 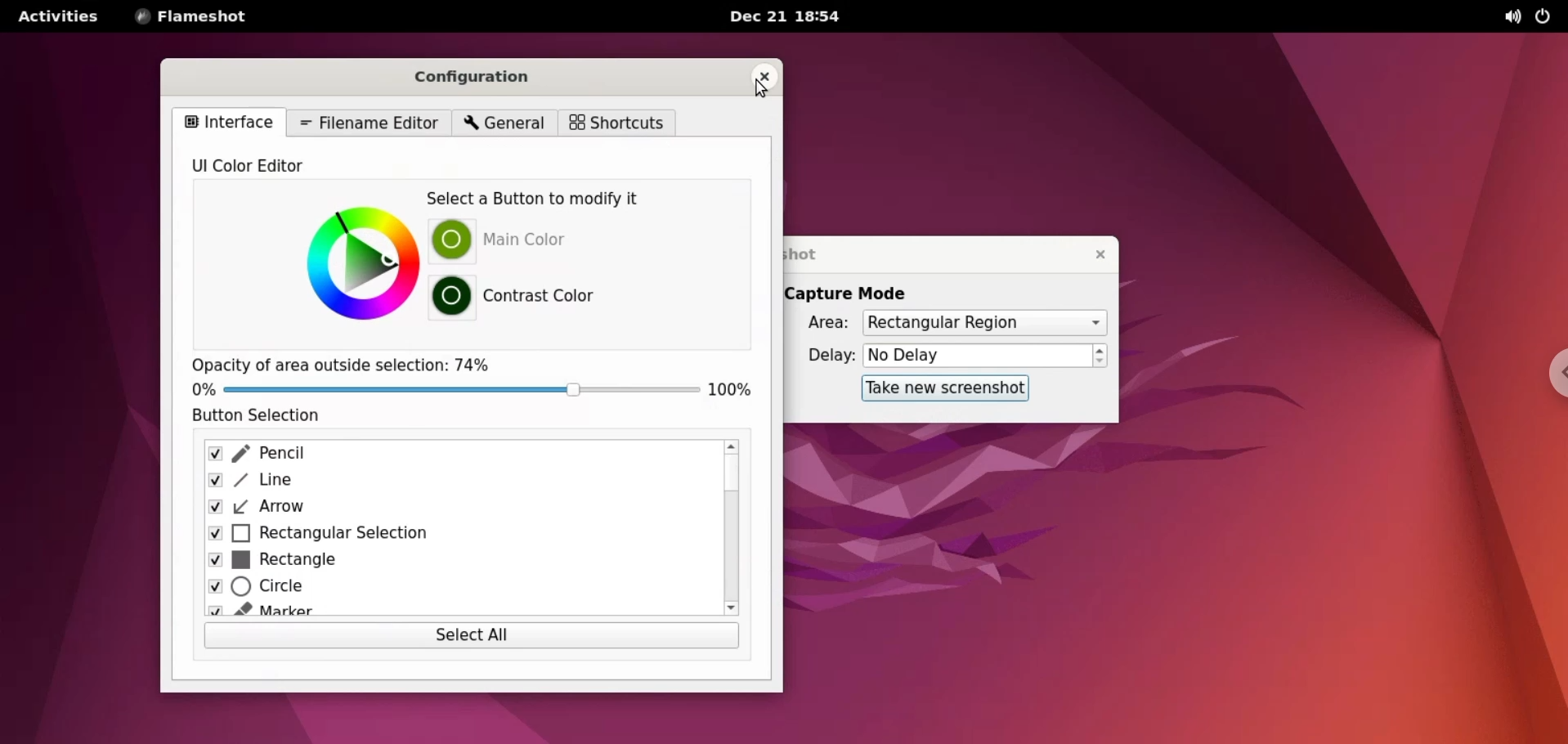 I want to click on UI color editor, so click(x=257, y=166).